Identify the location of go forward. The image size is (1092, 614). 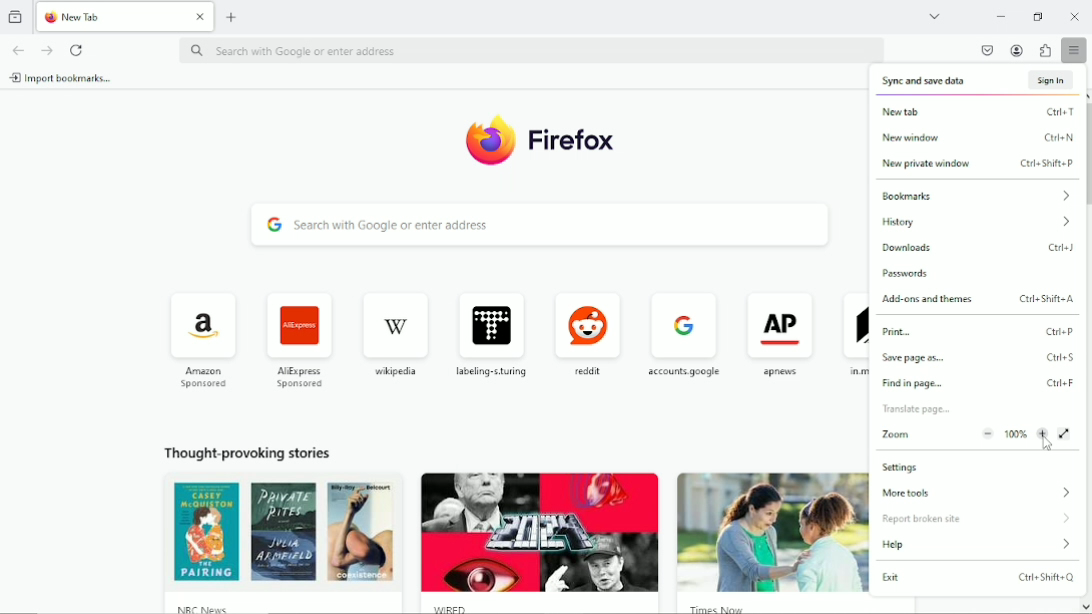
(46, 50).